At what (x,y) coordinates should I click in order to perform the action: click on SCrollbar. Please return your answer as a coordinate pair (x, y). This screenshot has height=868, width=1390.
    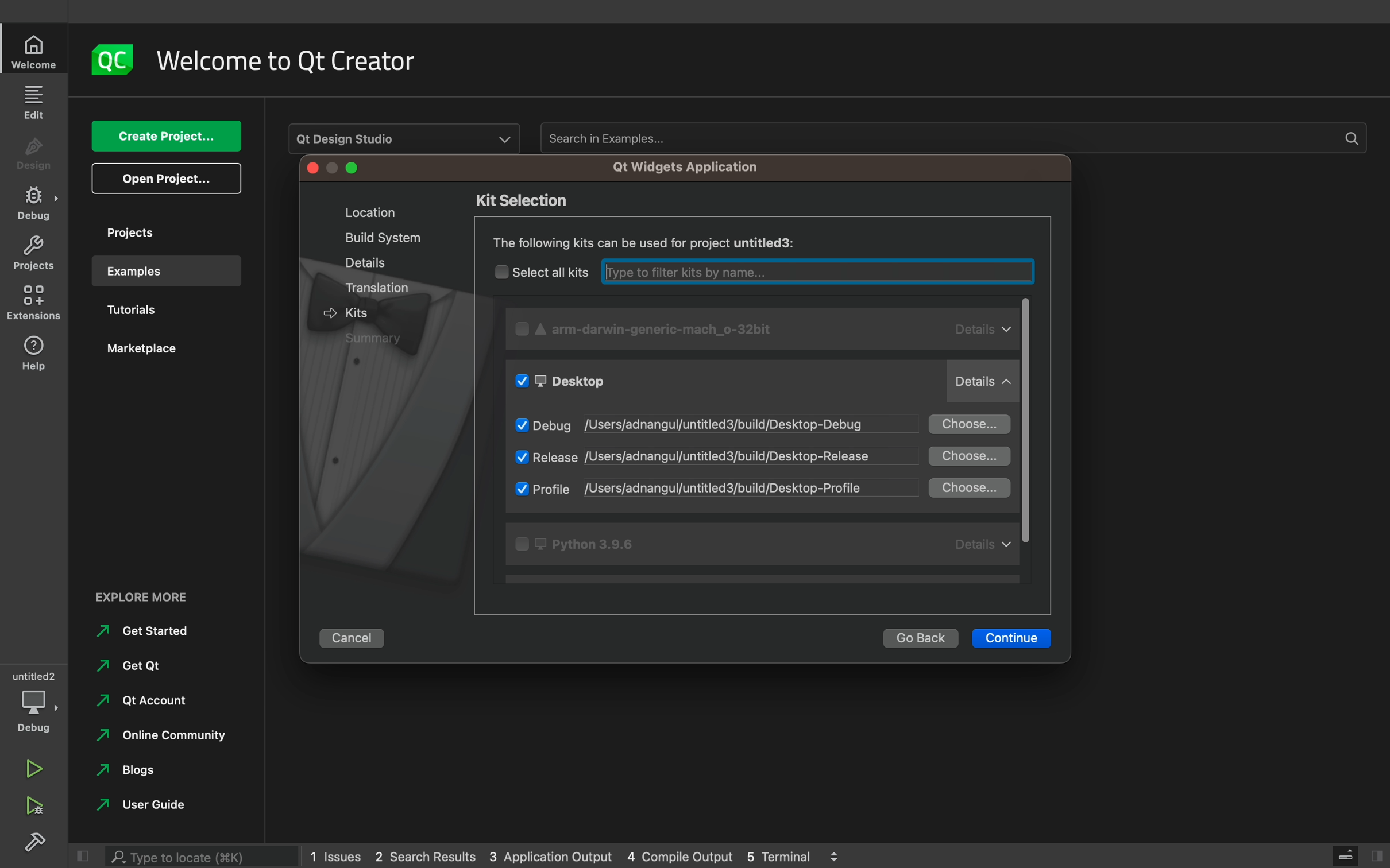
    Looking at the image, I should click on (1032, 432).